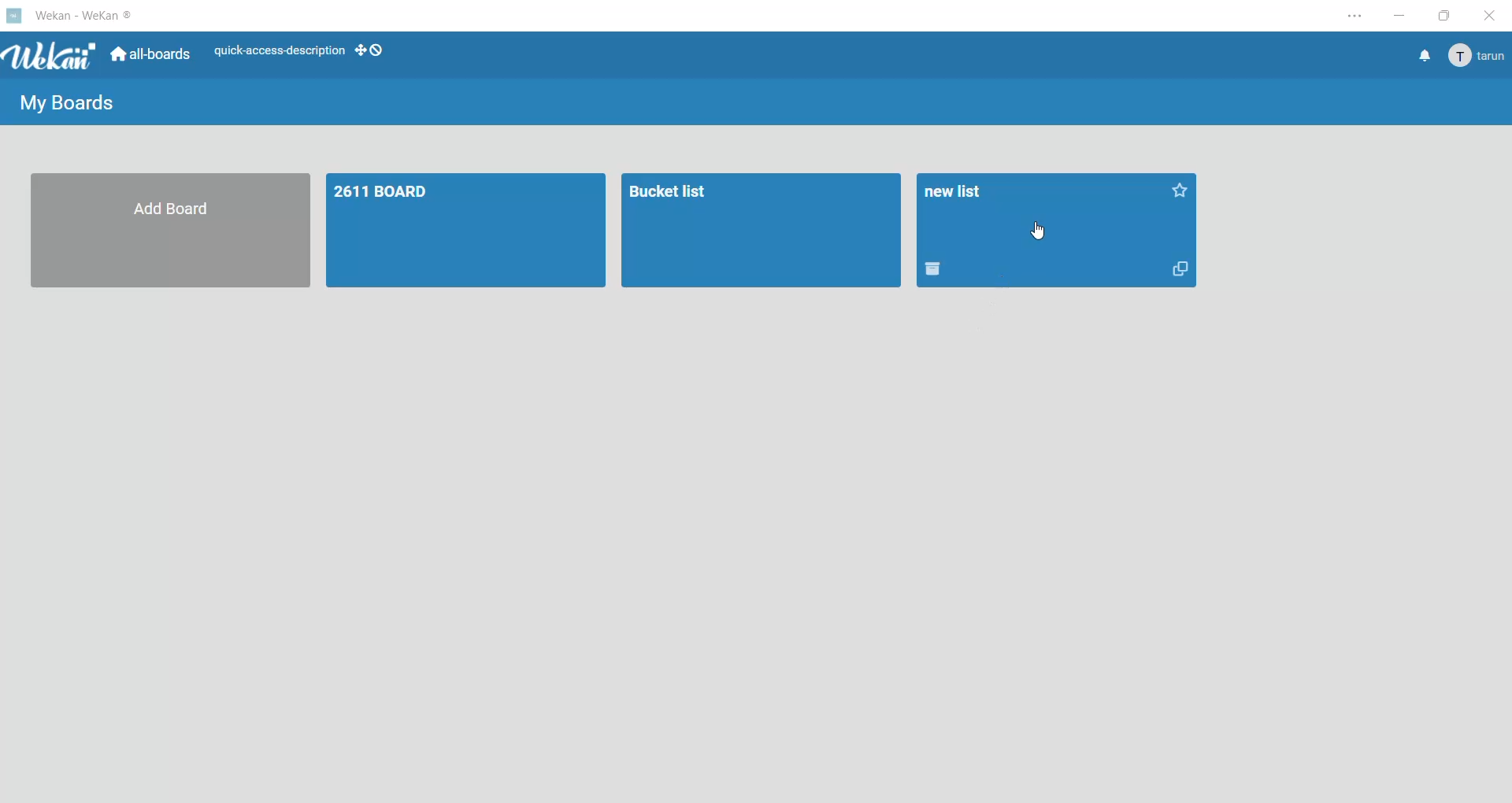 The image size is (1512, 803). I want to click on cursor, so click(1043, 234).